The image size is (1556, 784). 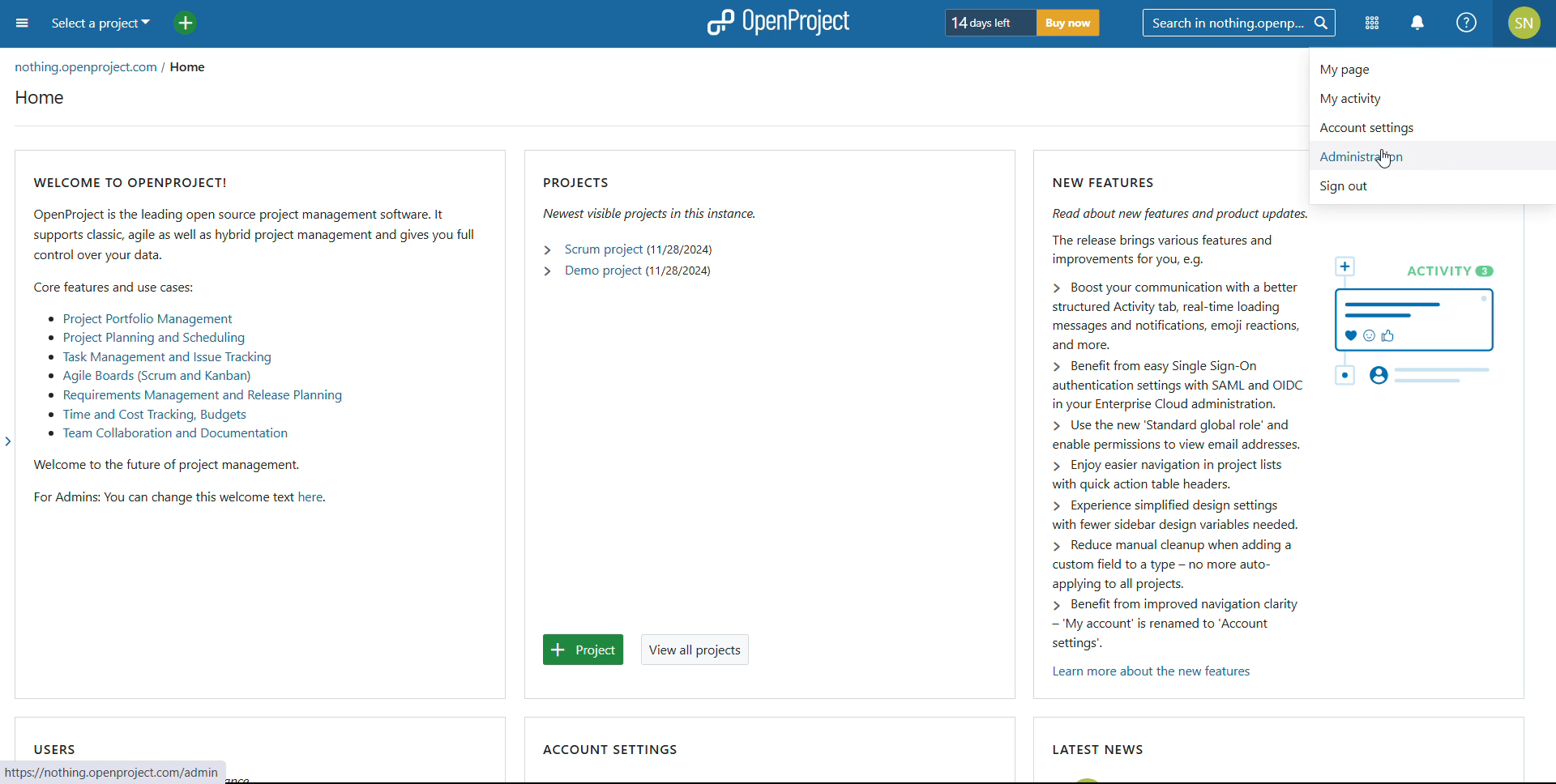 What do you see at coordinates (98, 772) in the screenshot?
I see `https://nothing.openproject.com/#` at bounding box center [98, 772].